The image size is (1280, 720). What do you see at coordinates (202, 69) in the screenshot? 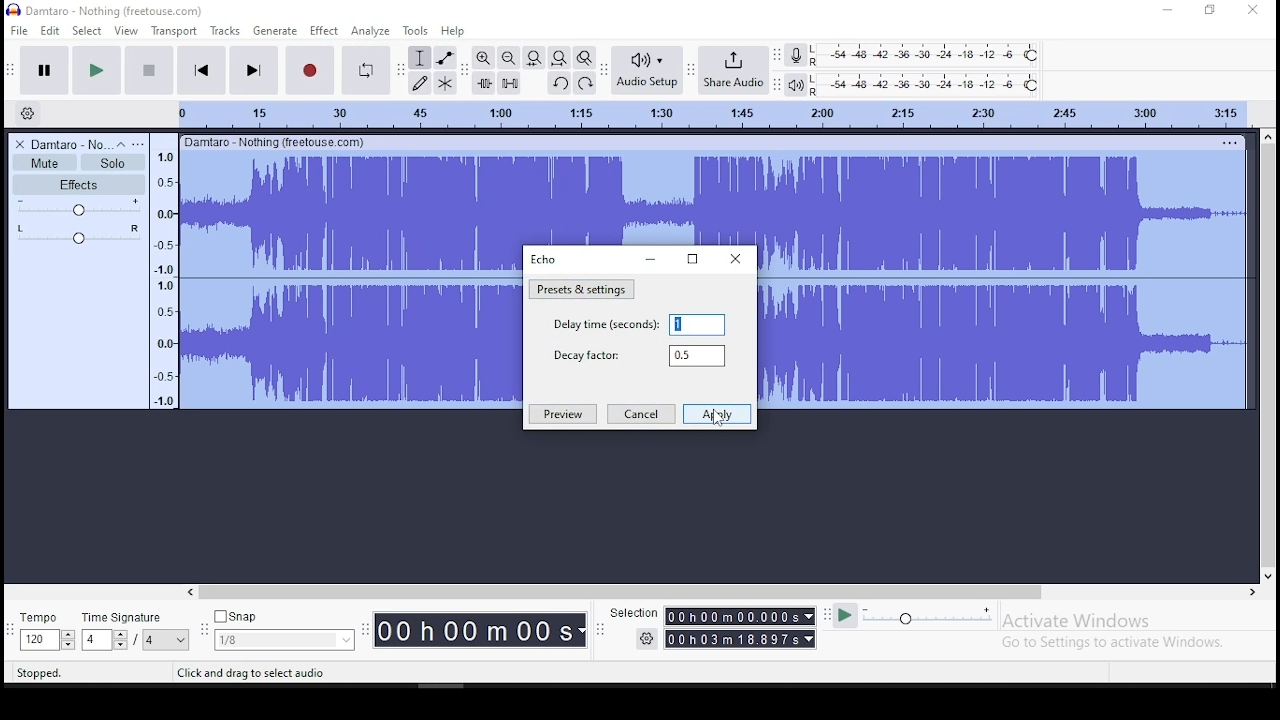
I see `skip to start` at bounding box center [202, 69].